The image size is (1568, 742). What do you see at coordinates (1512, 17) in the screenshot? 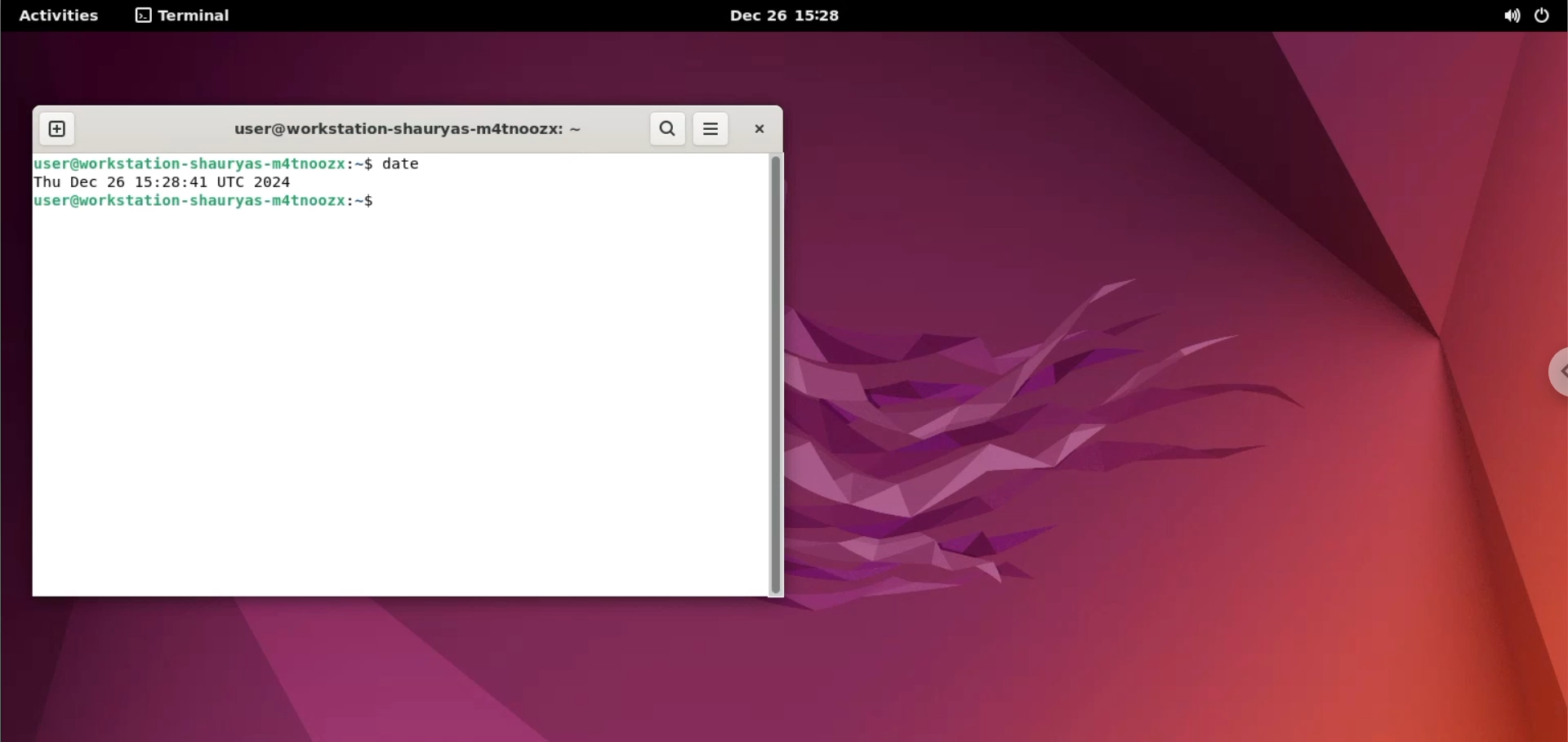
I see `sound options` at bounding box center [1512, 17].